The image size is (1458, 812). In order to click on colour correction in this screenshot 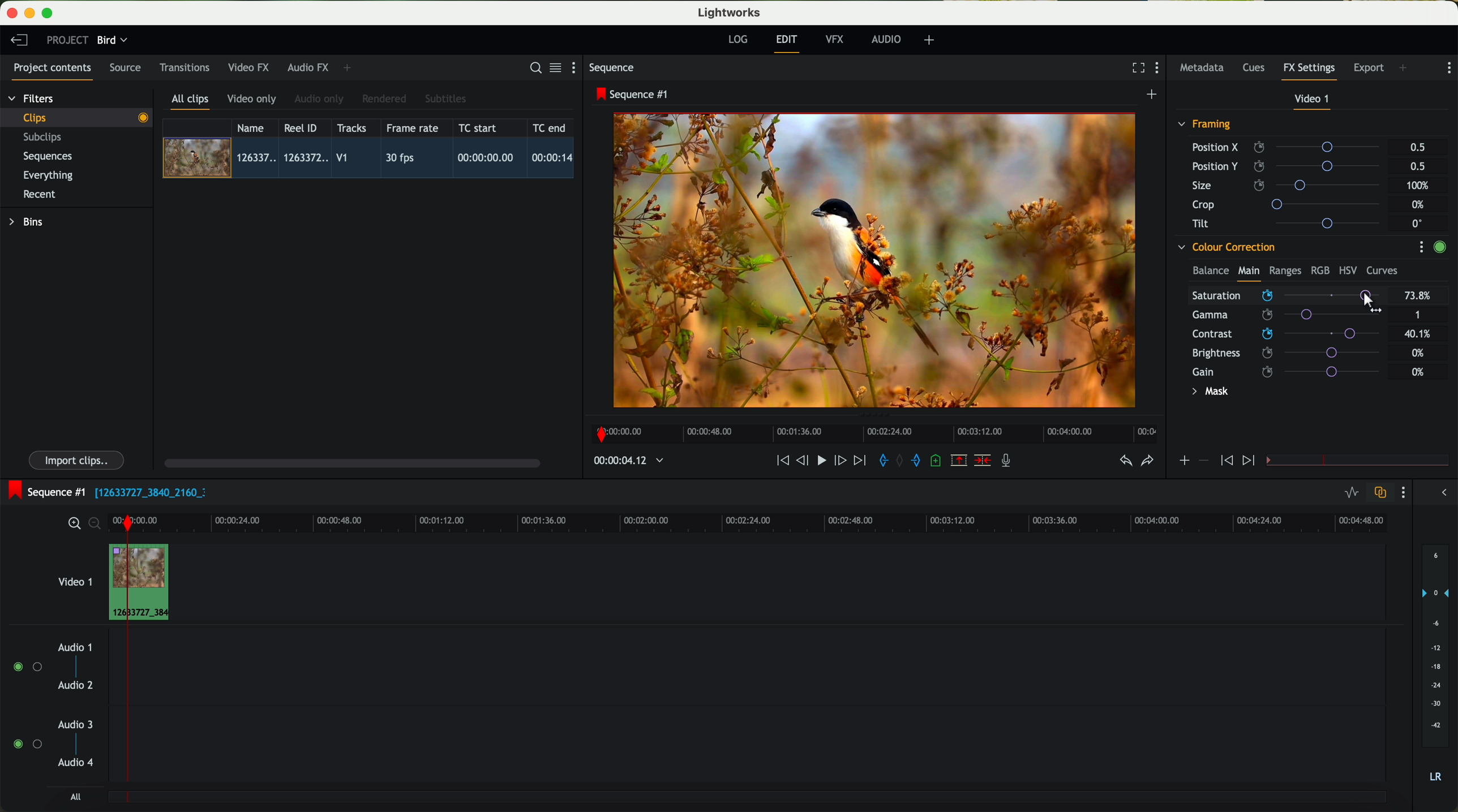, I will do `click(1225, 247)`.